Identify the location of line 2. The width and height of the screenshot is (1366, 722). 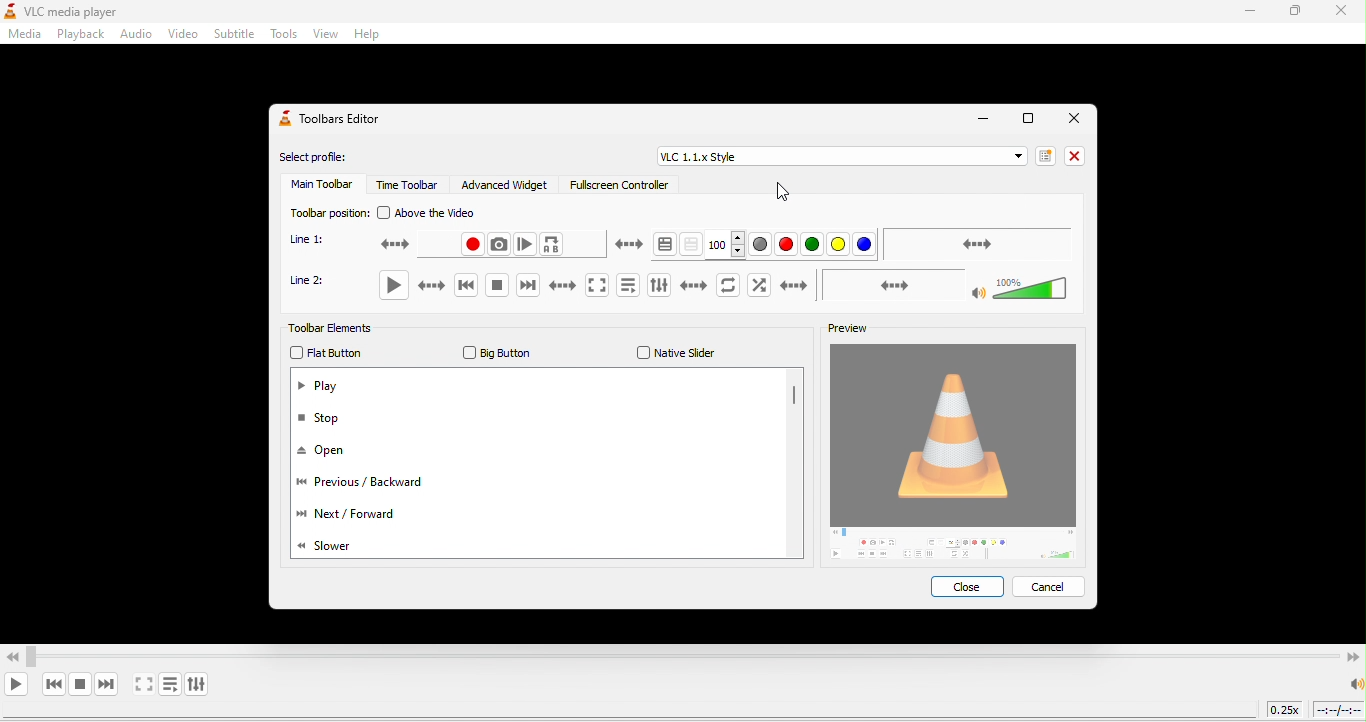
(316, 286).